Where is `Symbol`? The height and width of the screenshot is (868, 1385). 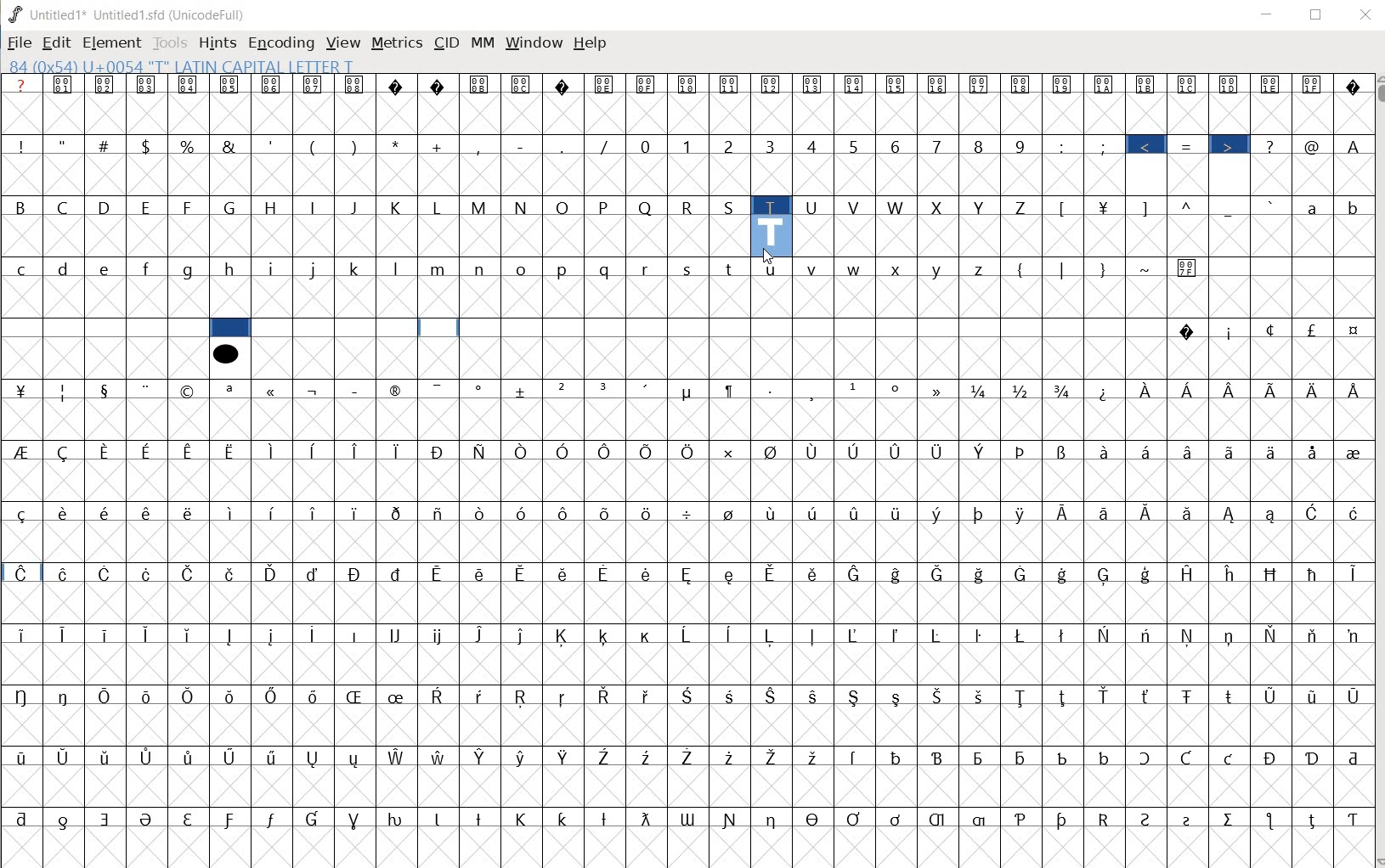 Symbol is located at coordinates (1063, 757).